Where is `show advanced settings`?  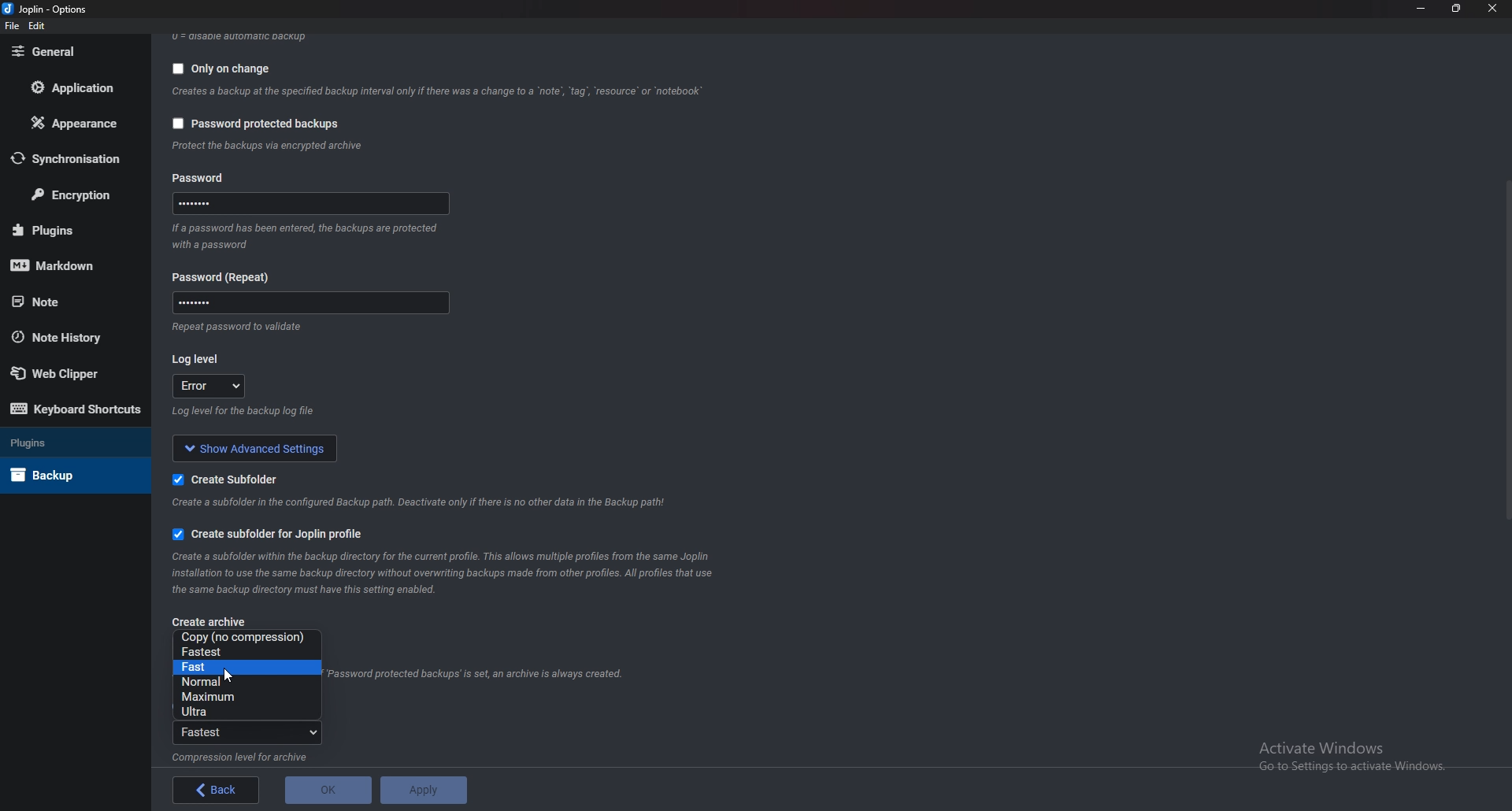 show advanced settings is located at coordinates (255, 449).